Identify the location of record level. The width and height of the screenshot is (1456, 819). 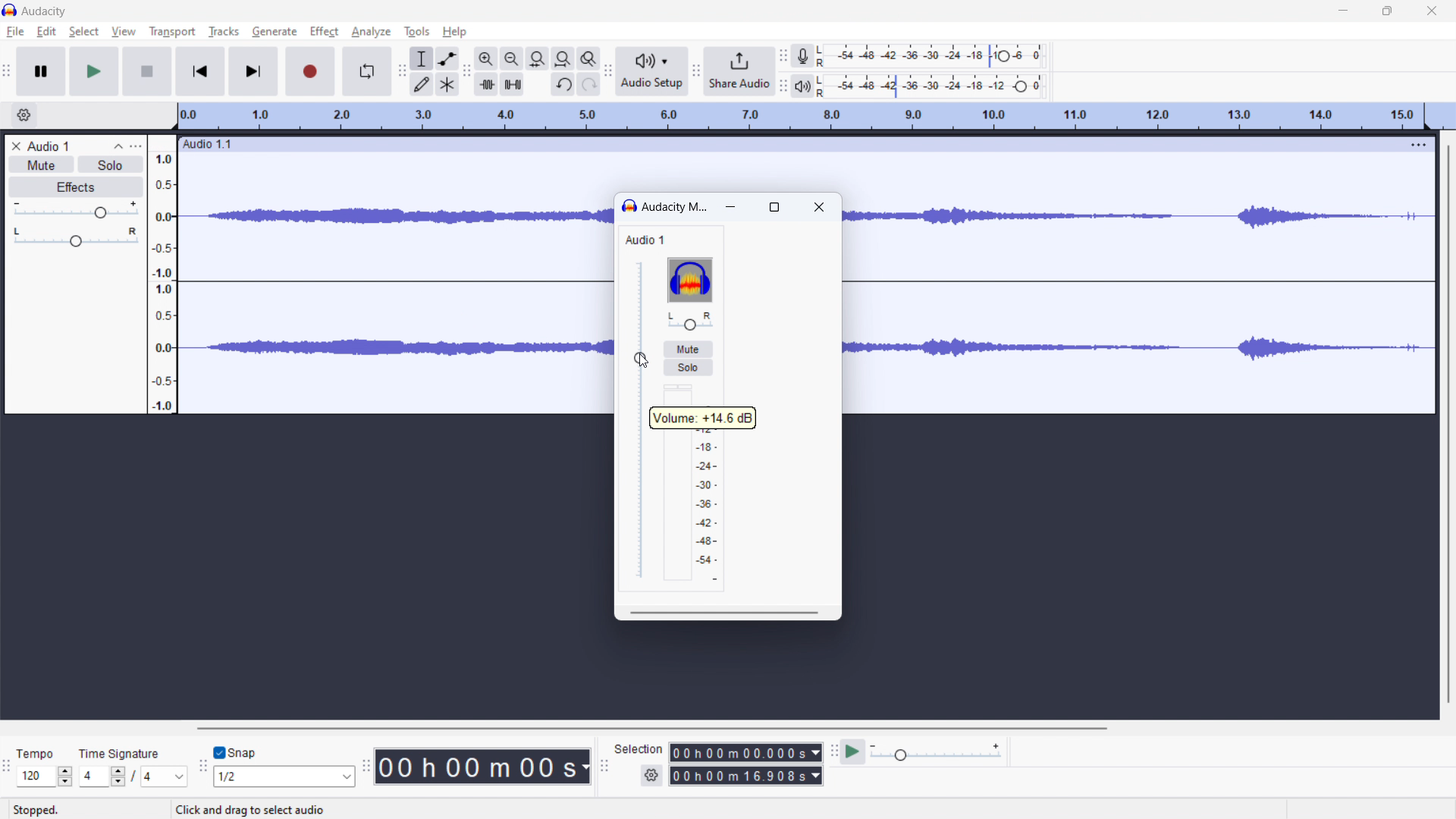
(936, 56).